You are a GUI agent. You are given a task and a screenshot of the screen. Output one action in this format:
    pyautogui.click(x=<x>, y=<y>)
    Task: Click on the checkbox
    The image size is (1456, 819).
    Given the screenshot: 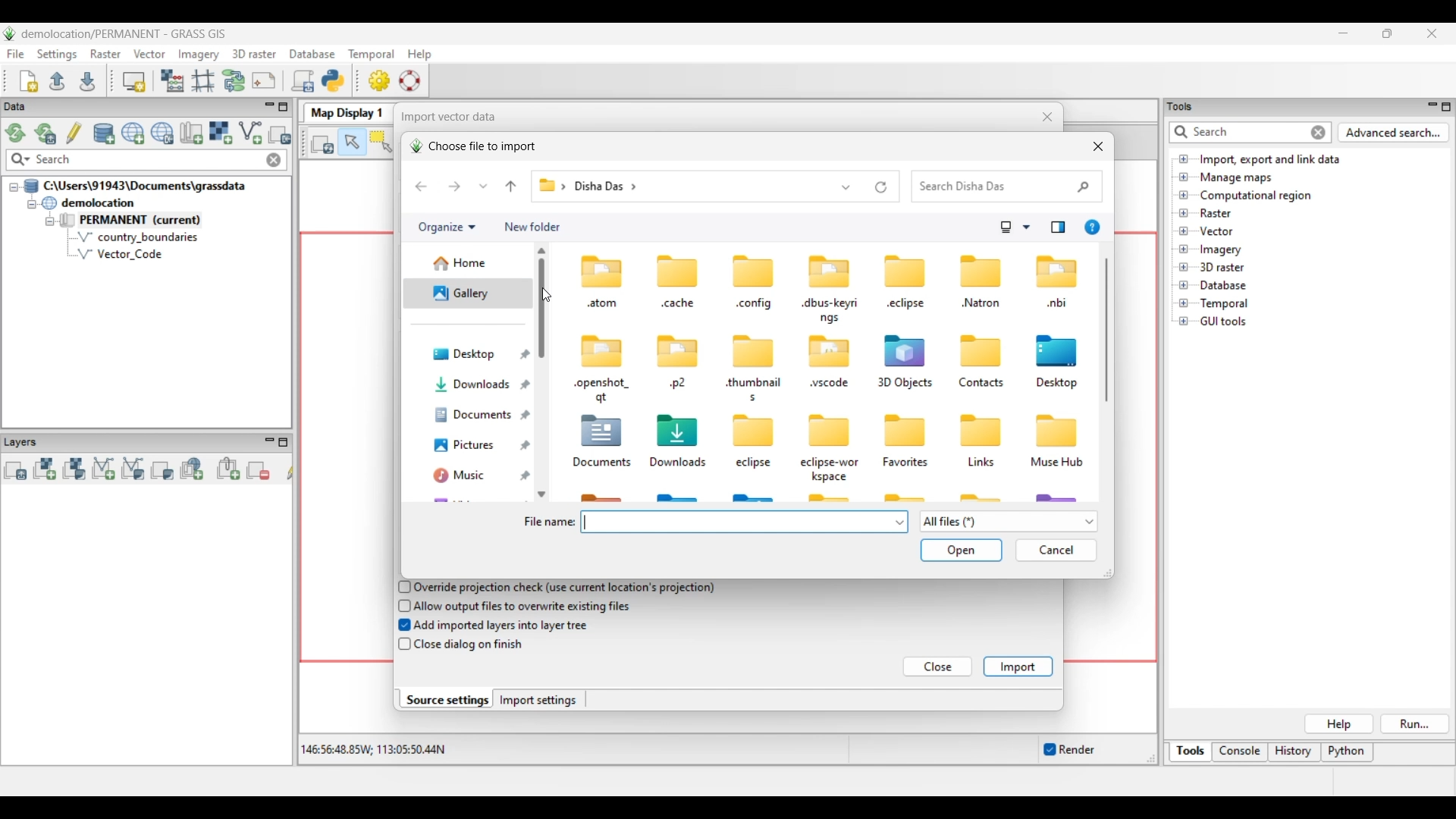 What is the action you would take?
    pyautogui.click(x=400, y=626)
    